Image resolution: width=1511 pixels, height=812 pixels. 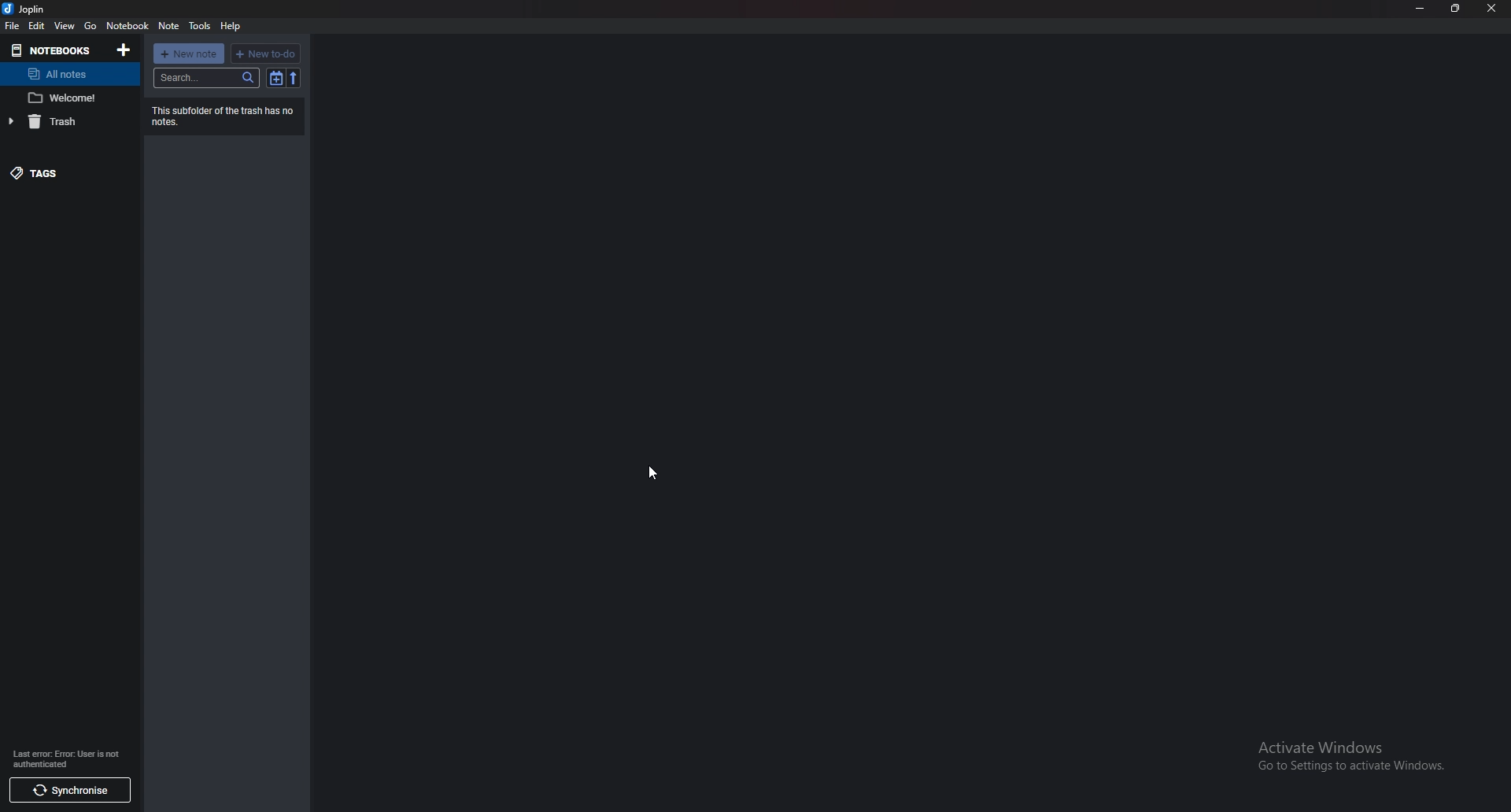 What do you see at coordinates (227, 116) in the screenshot?
I see `info` at bounding box center [227, 116].